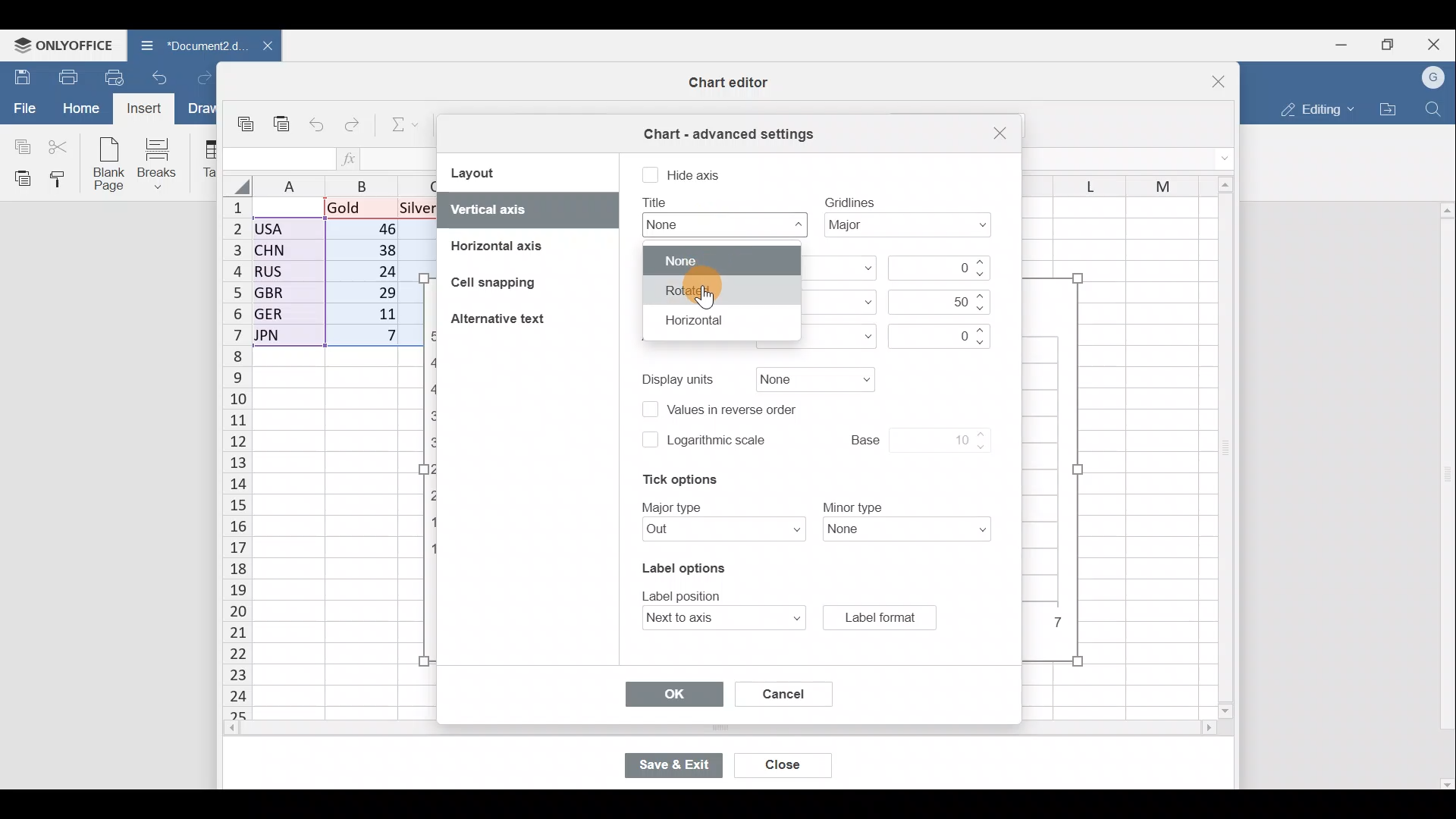 This screenshot has height=819, width=1456. Describe the element at coordinates (200, 110) in the screenshot. I see `Draw` at that location.